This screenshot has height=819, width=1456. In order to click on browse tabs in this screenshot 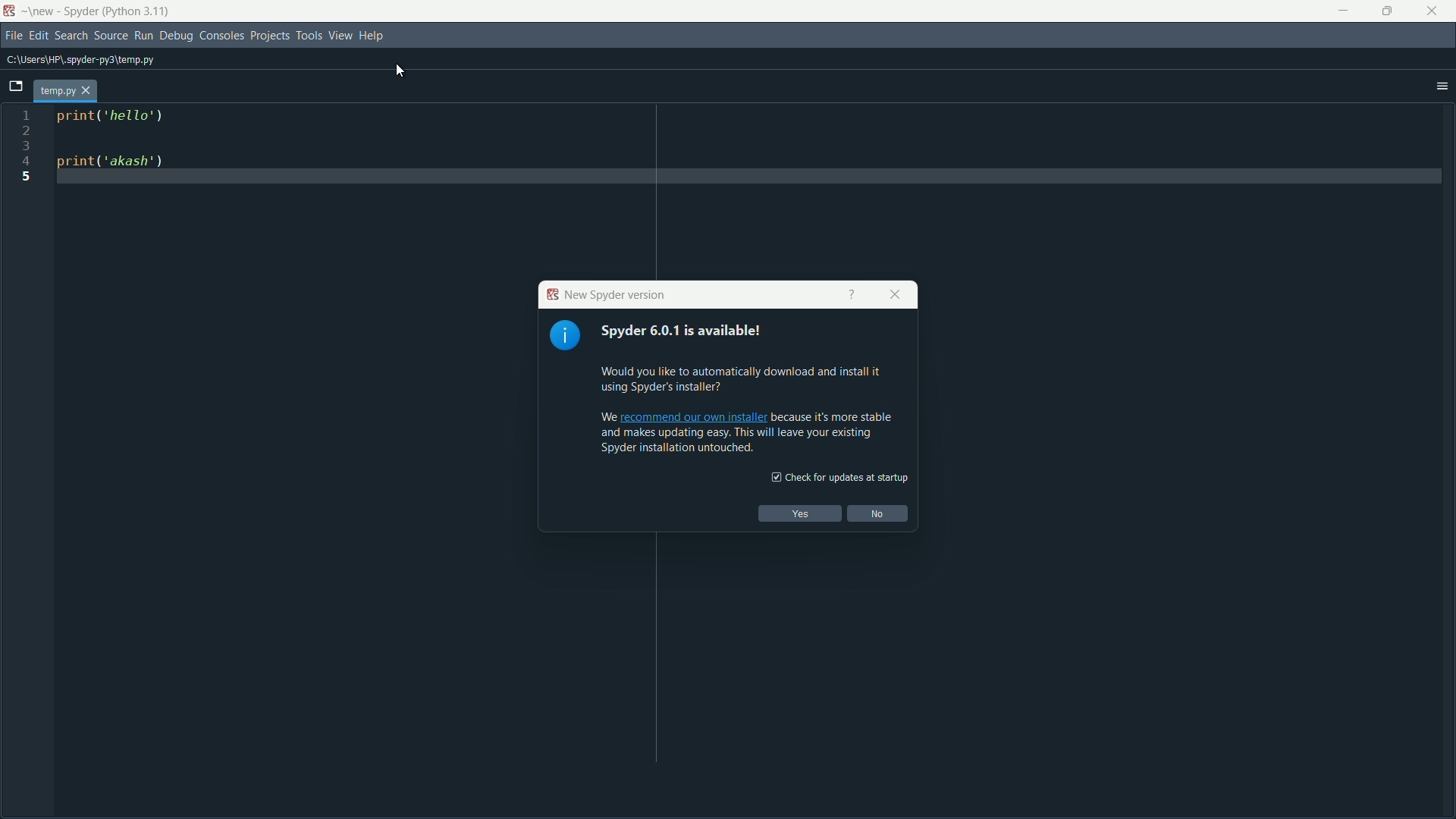, I will do `click(15, 88)`.